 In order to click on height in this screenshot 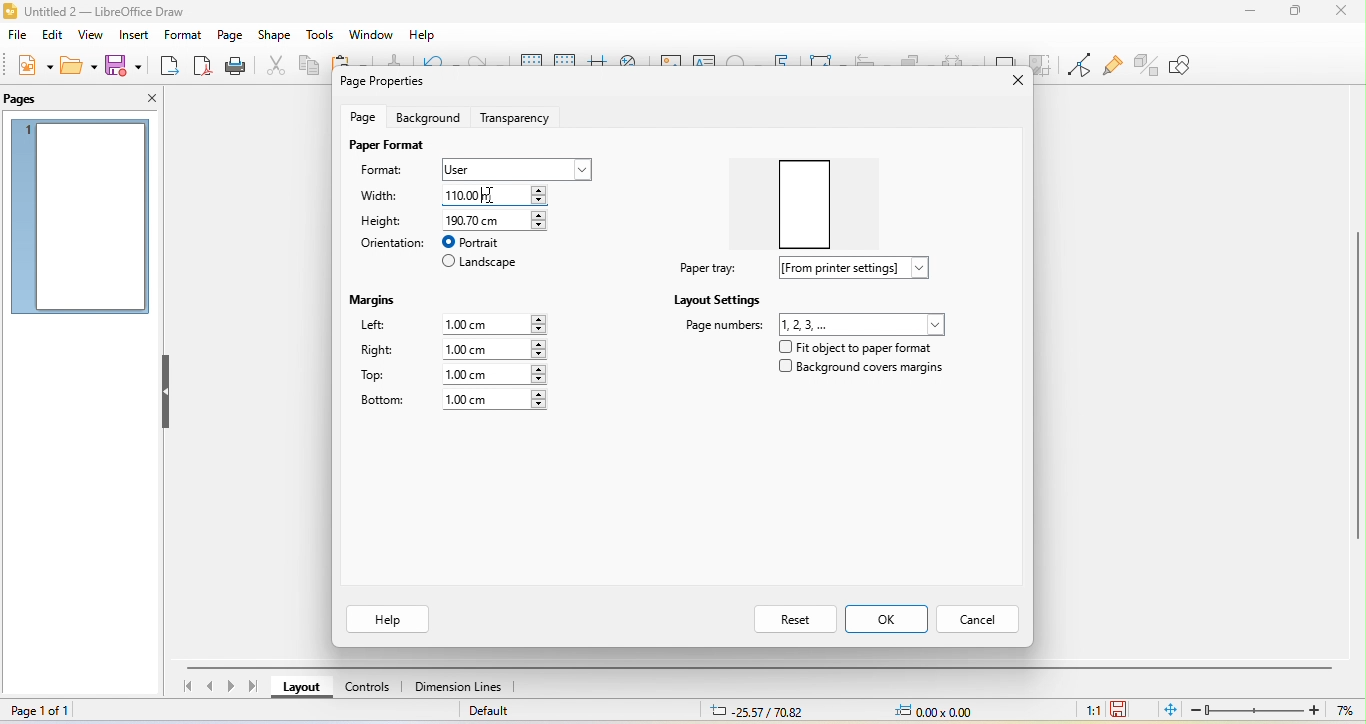, I will do `click(383, 220)`.